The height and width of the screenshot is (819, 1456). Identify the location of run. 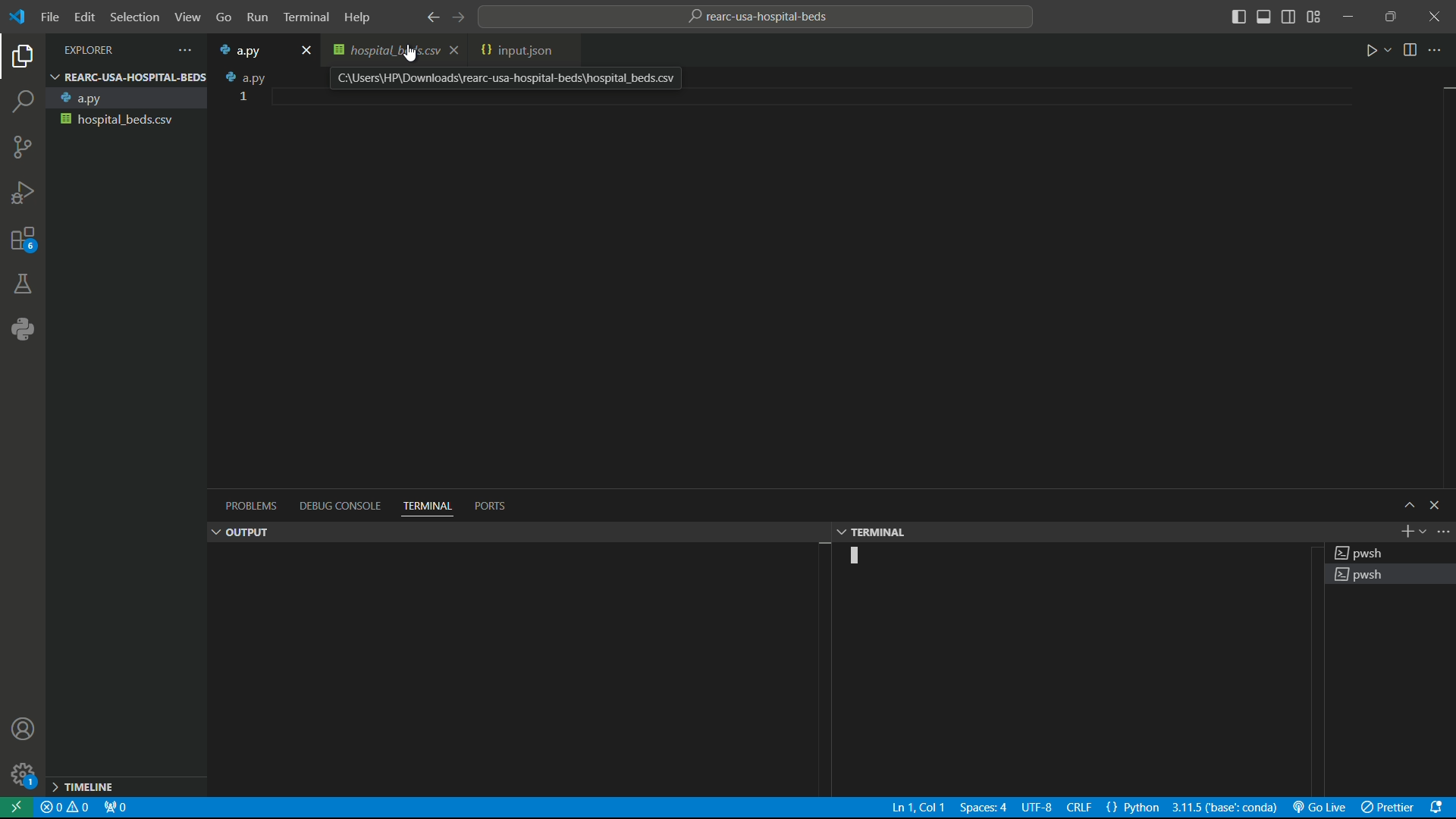
(1376, 52).